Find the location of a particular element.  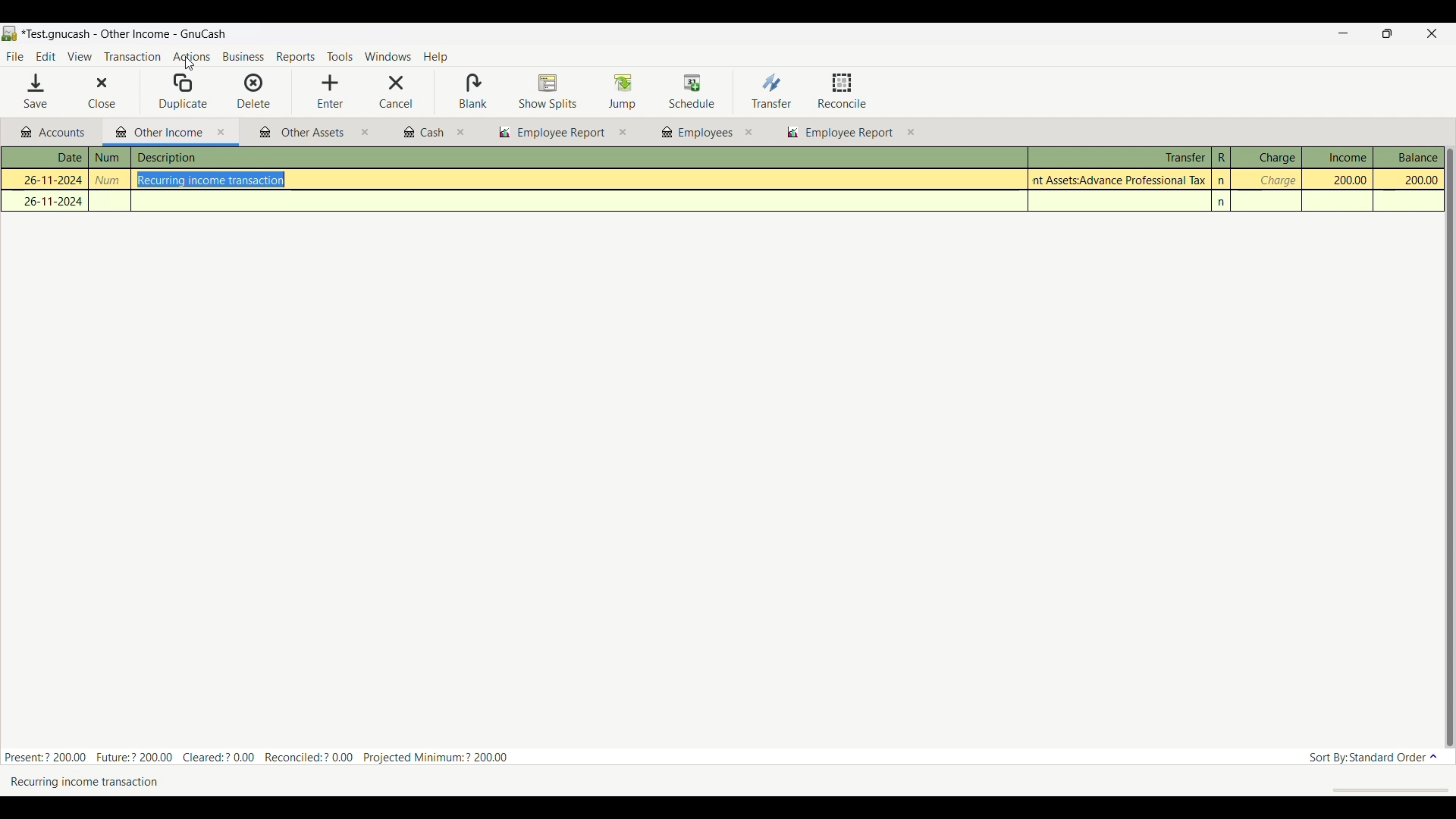

Income column is located at coordinates (1337, 157).